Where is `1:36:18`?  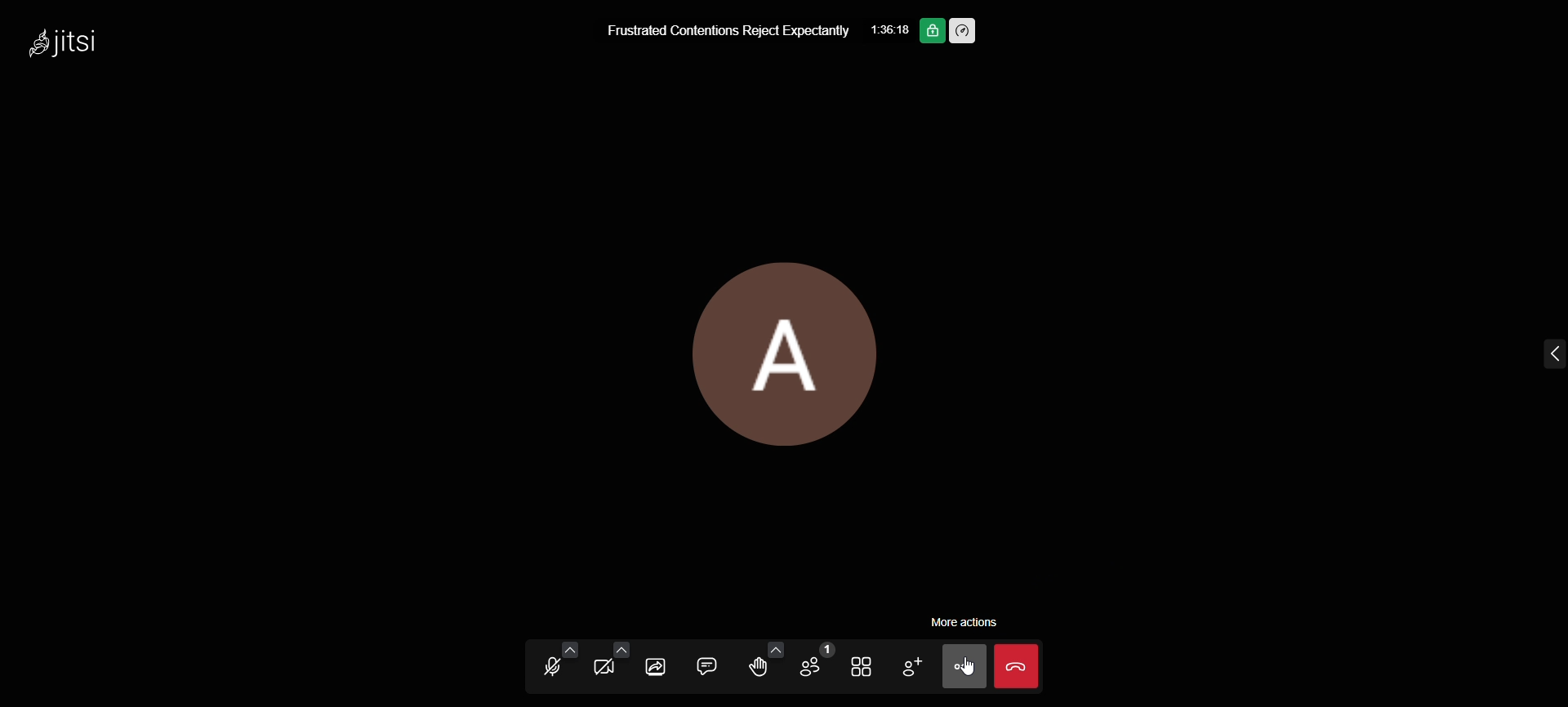 1:36:18 is located at coordinates (889, 33).